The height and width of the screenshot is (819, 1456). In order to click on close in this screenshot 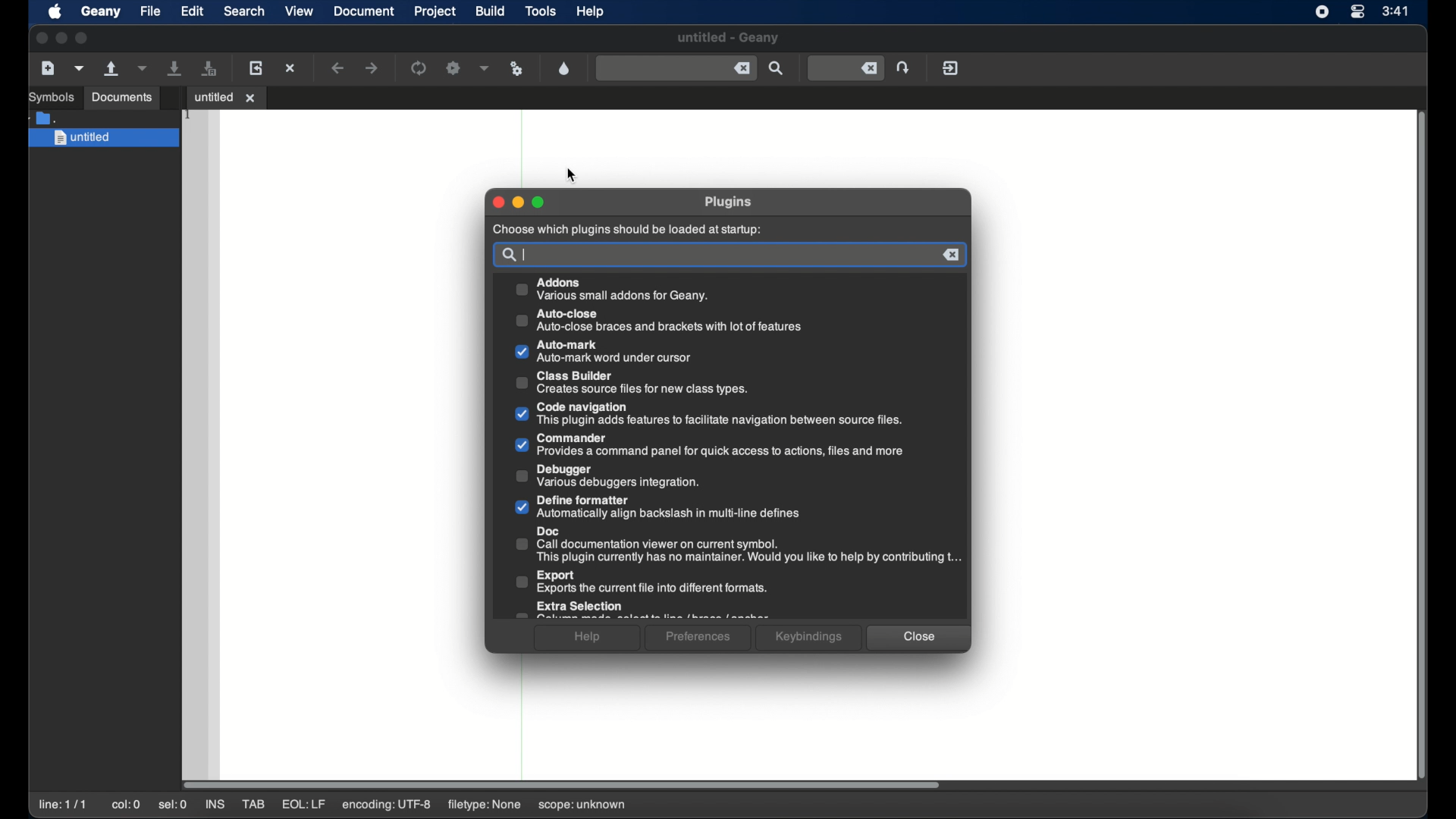, I will do `click(40, 39)`.